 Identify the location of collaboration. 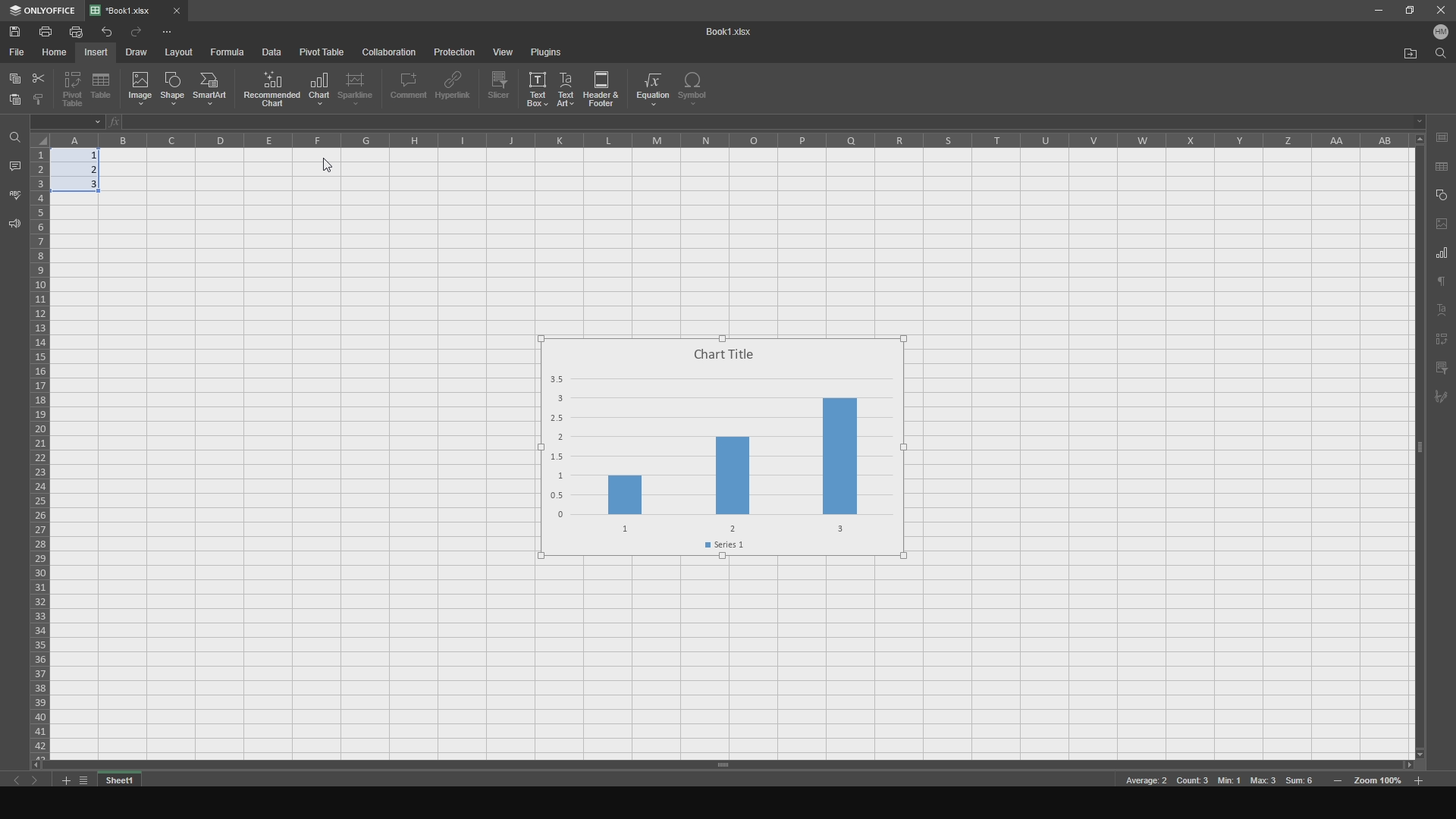
(391, 52).